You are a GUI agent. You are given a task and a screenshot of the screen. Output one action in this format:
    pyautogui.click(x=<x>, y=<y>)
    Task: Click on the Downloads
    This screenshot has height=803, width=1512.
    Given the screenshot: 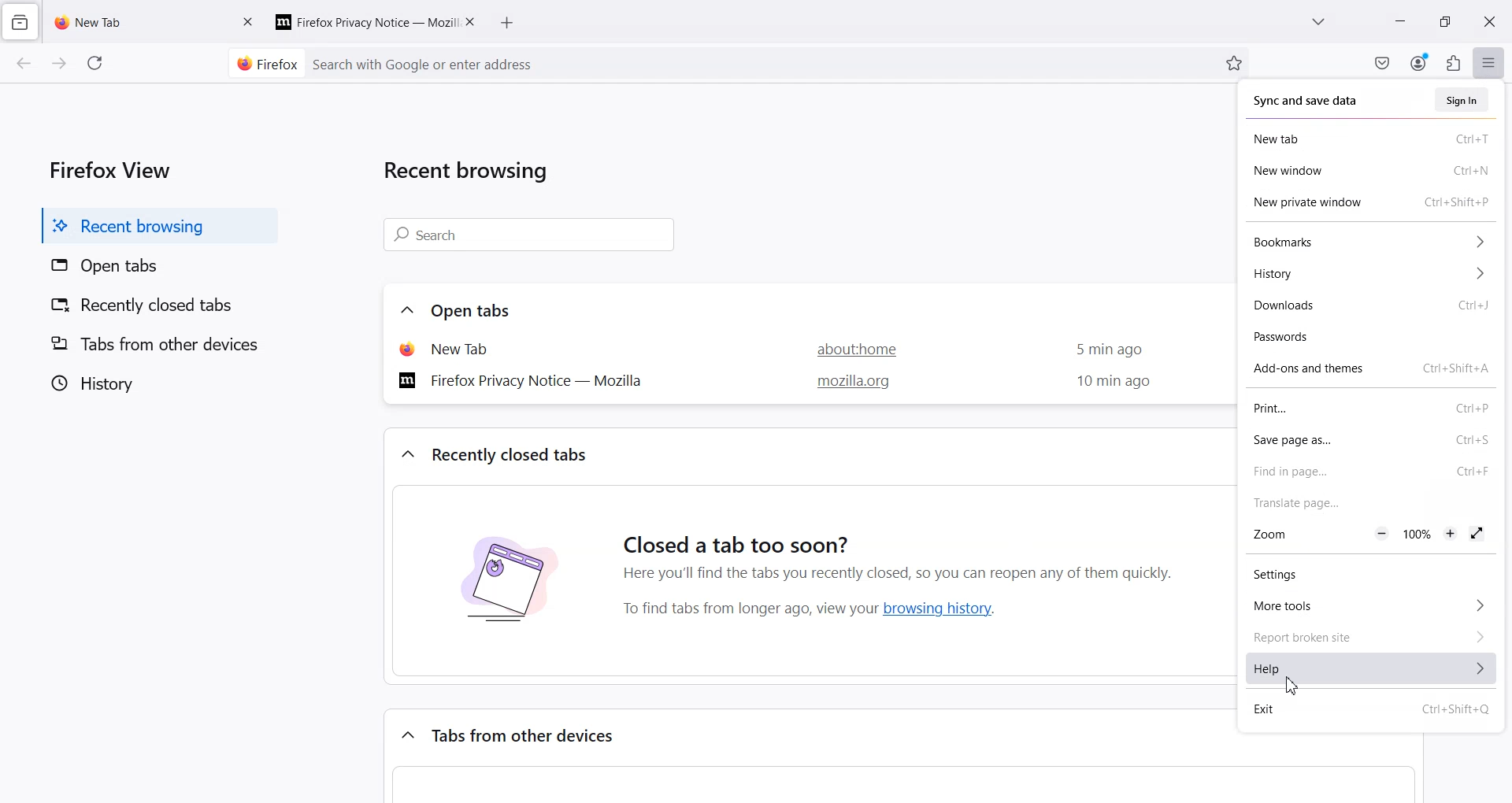 What is the action you would take?
    pyautogui.click(x=1371, y=306)
    